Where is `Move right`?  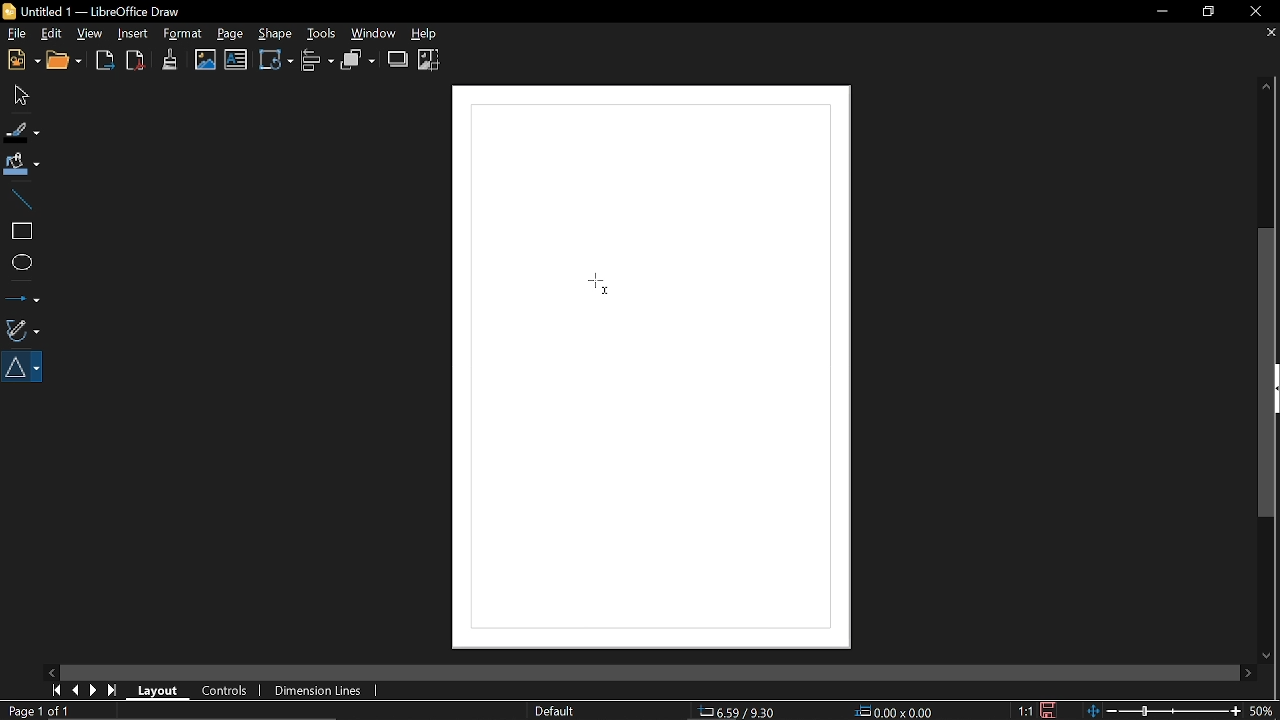
Move right is located at coordinates (1248, 673).